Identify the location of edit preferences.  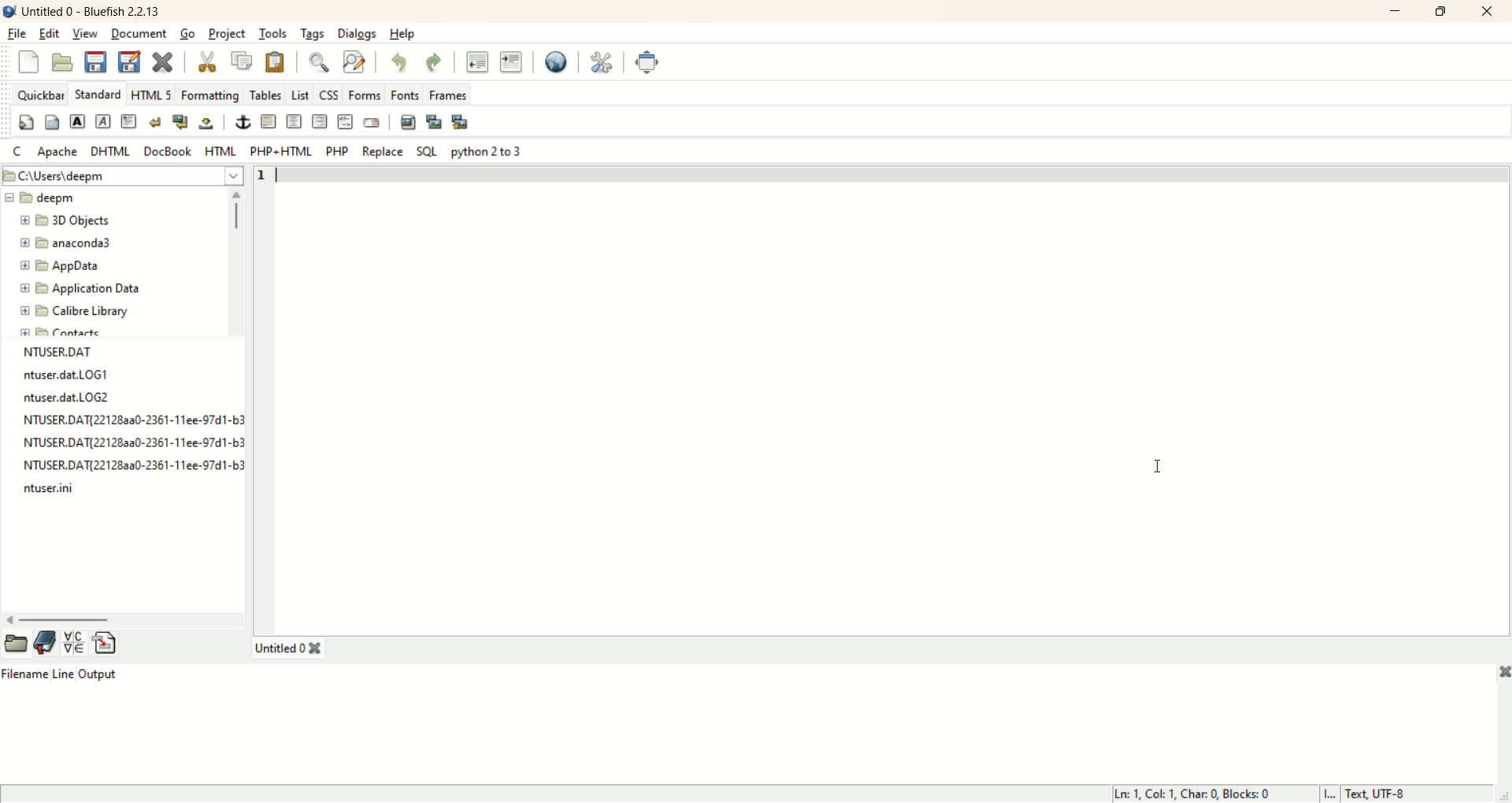
(602, 63).